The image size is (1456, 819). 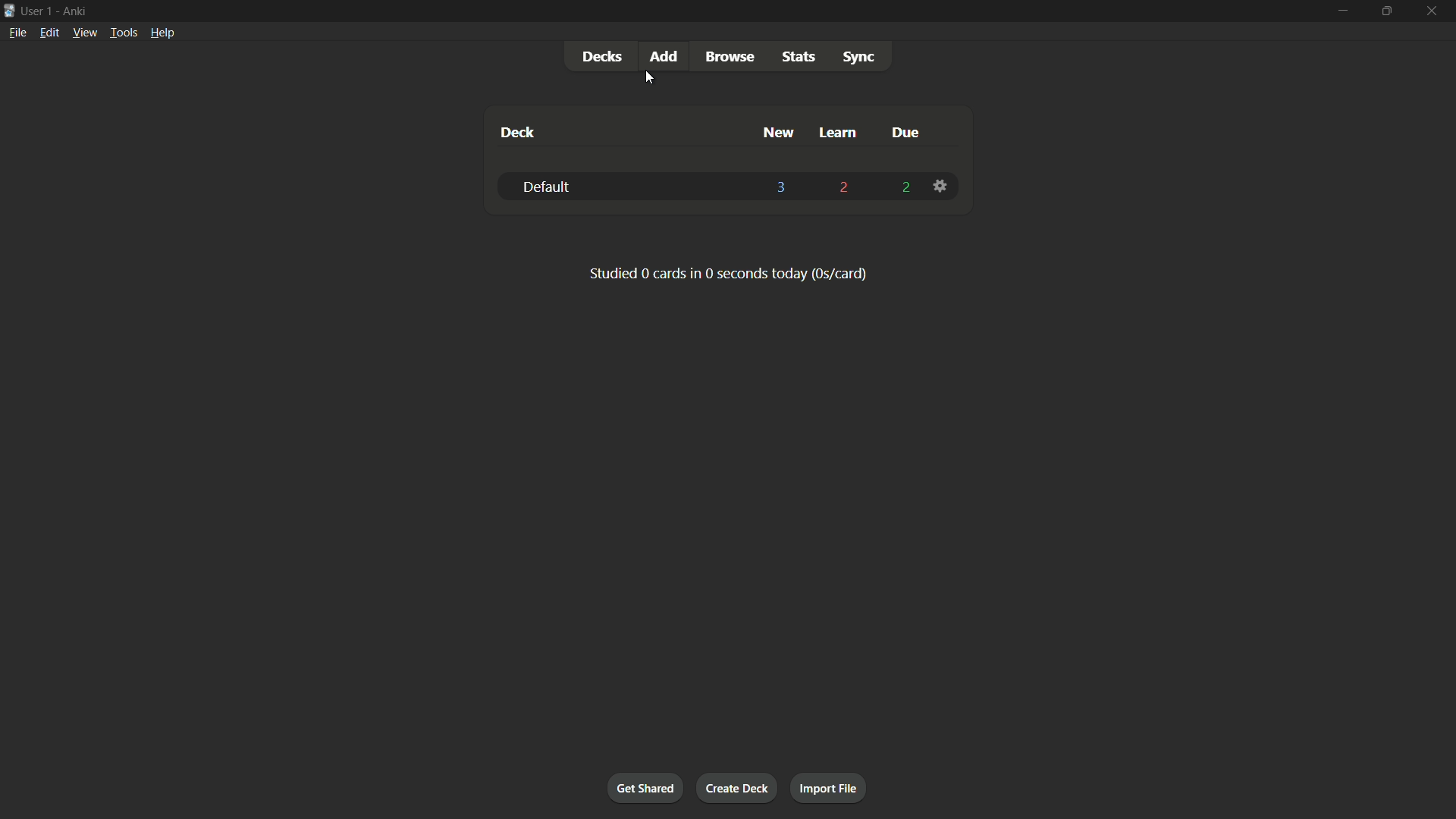 What do you see at coordinates (544, 188) in the screenshot?
I see `default` at bounding box center [544, 188].